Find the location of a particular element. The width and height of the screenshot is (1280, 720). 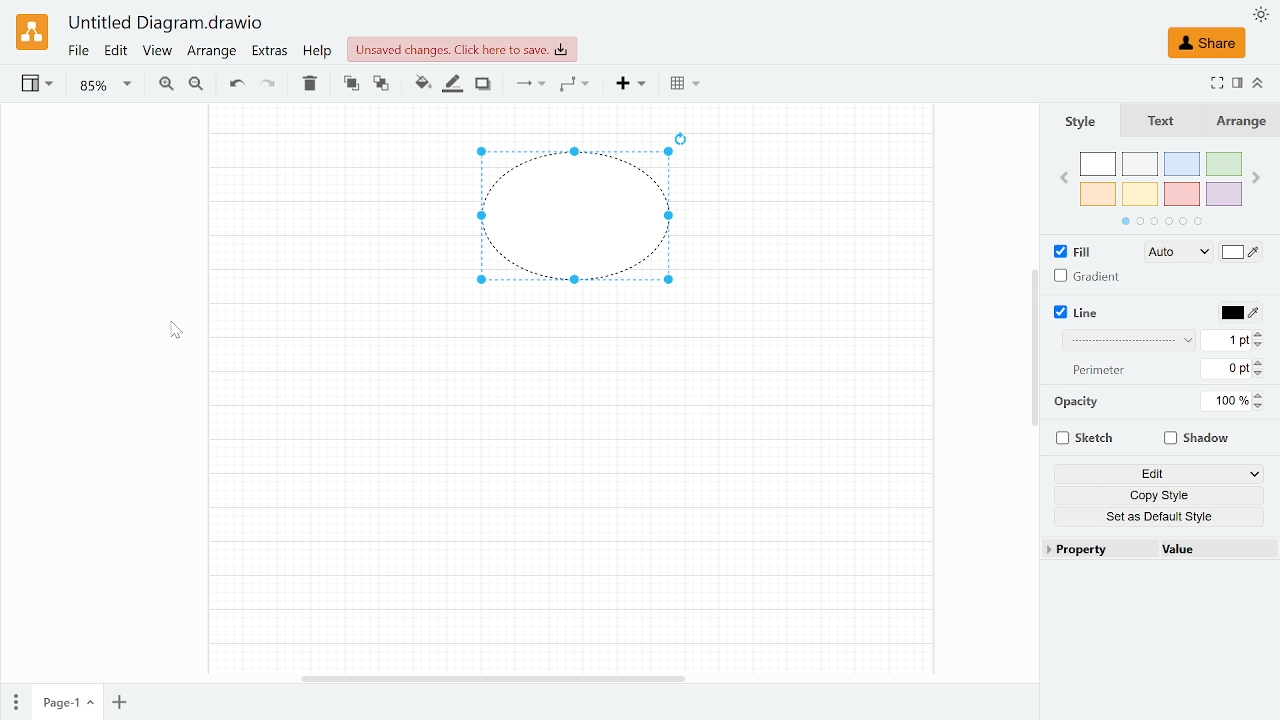

STyle is located at coordinates (1091, 121).